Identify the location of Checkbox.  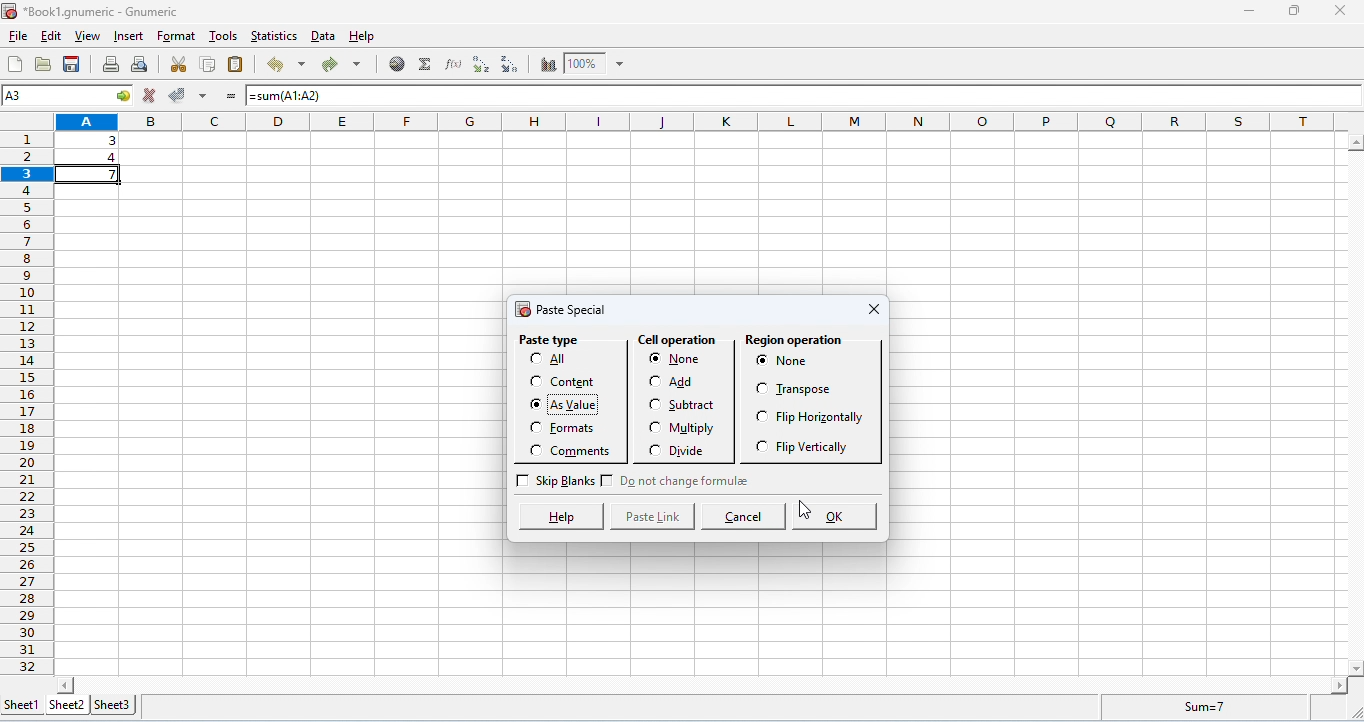
(535, 451).